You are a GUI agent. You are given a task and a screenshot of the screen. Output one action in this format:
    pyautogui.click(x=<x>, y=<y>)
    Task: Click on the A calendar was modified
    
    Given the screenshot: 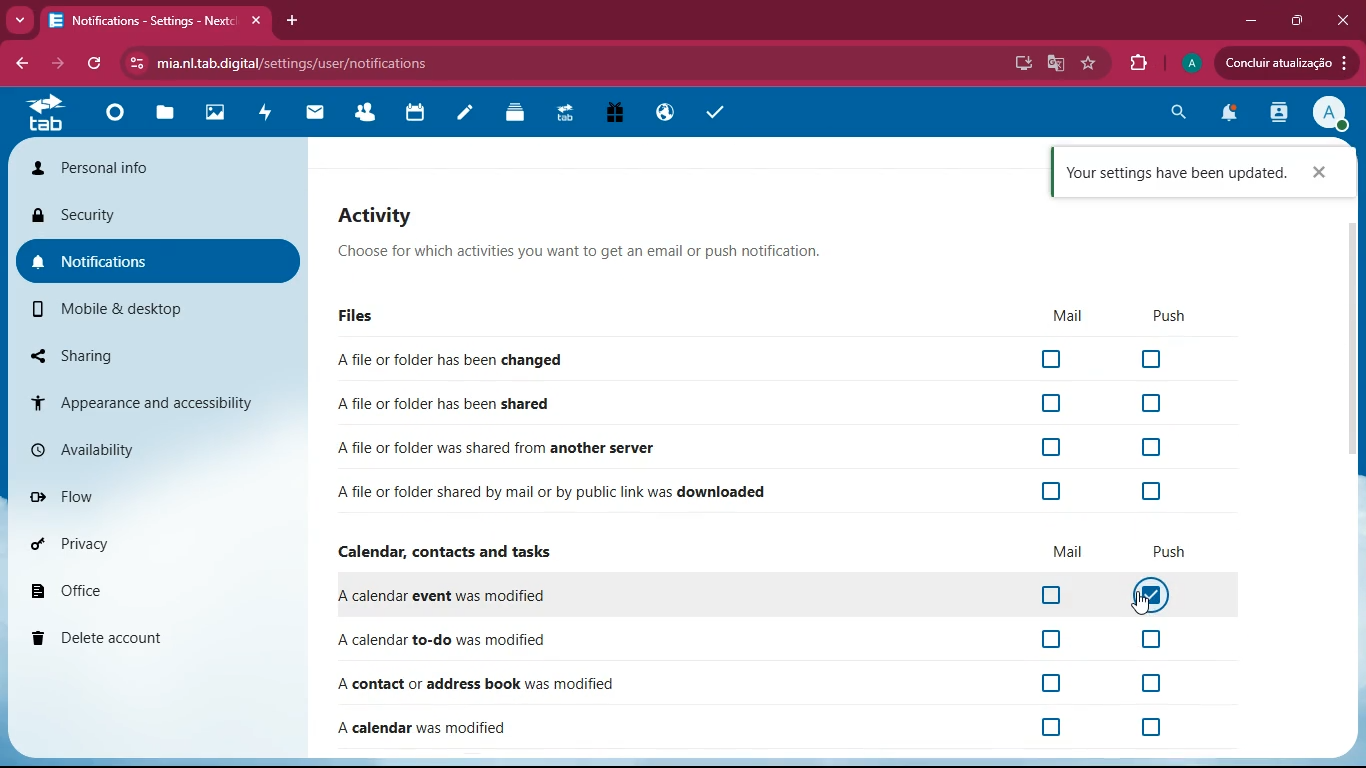 What is the action you would take?
    pyautogui.click(x=422, y=728)
    